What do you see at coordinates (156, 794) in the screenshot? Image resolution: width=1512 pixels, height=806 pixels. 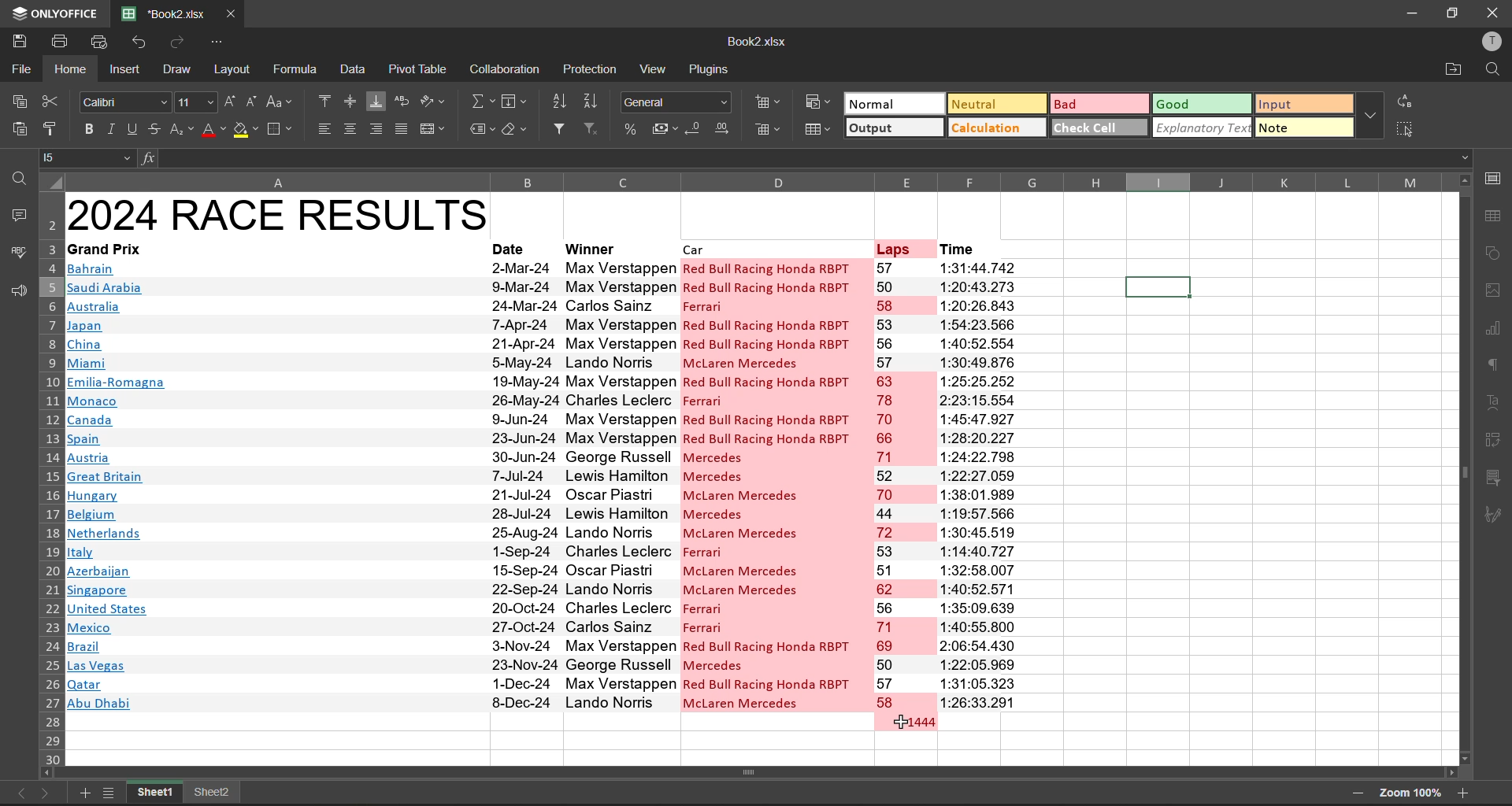 I see `sheet names` at bounding box center [156, 794].